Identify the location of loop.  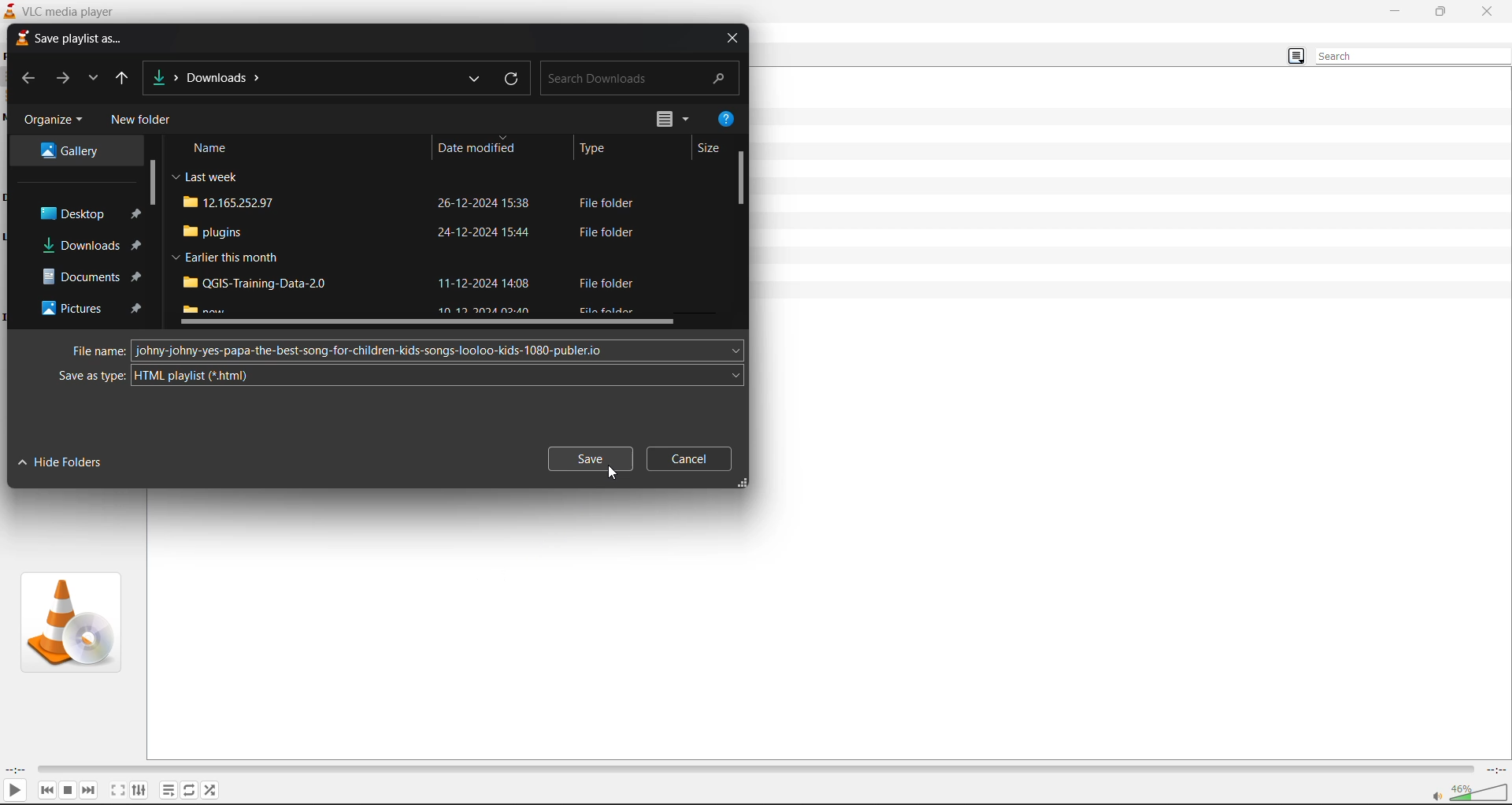
(193, 789).